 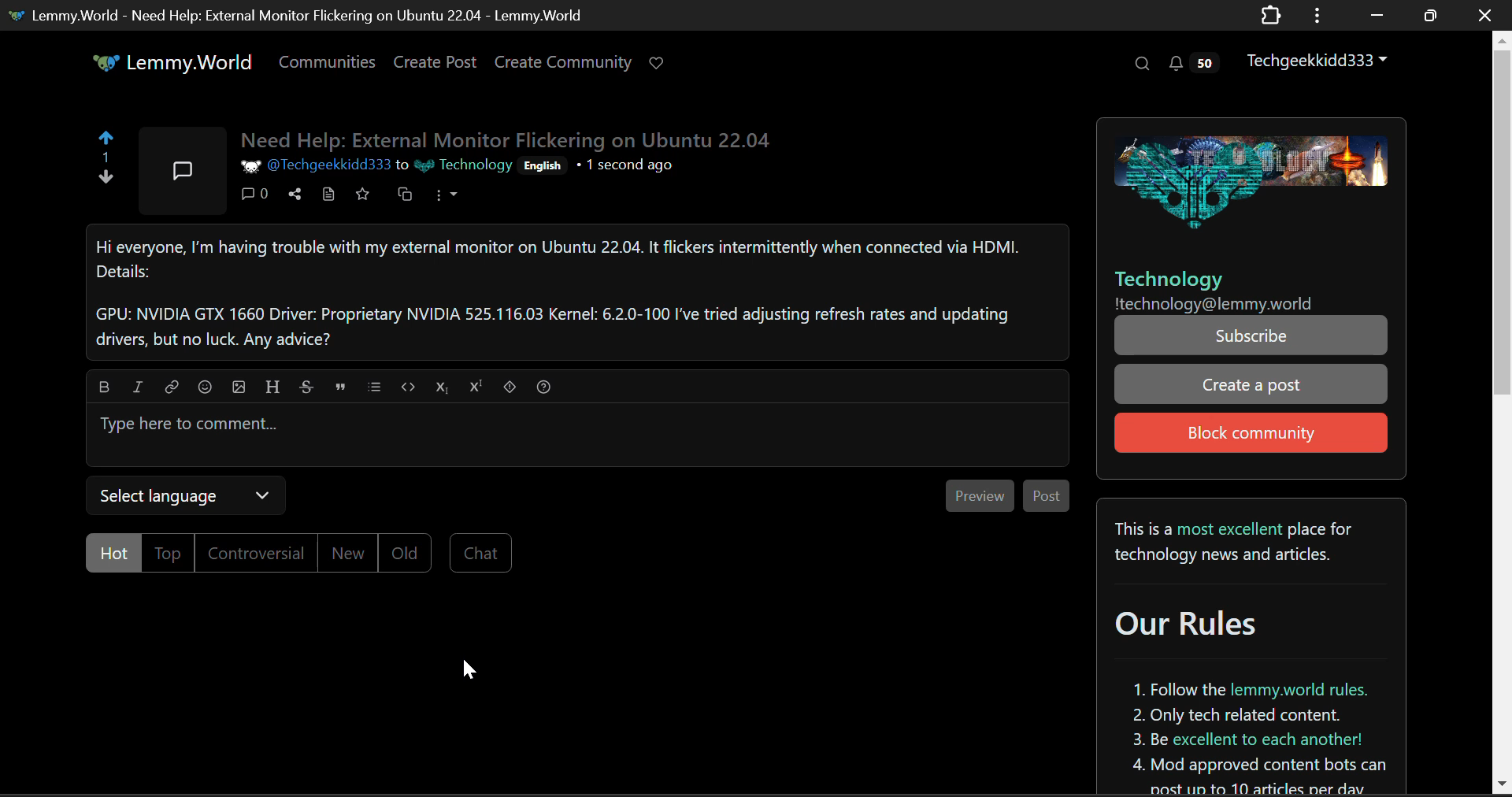 I want to click on Technology, so click(x=1168, y=279).